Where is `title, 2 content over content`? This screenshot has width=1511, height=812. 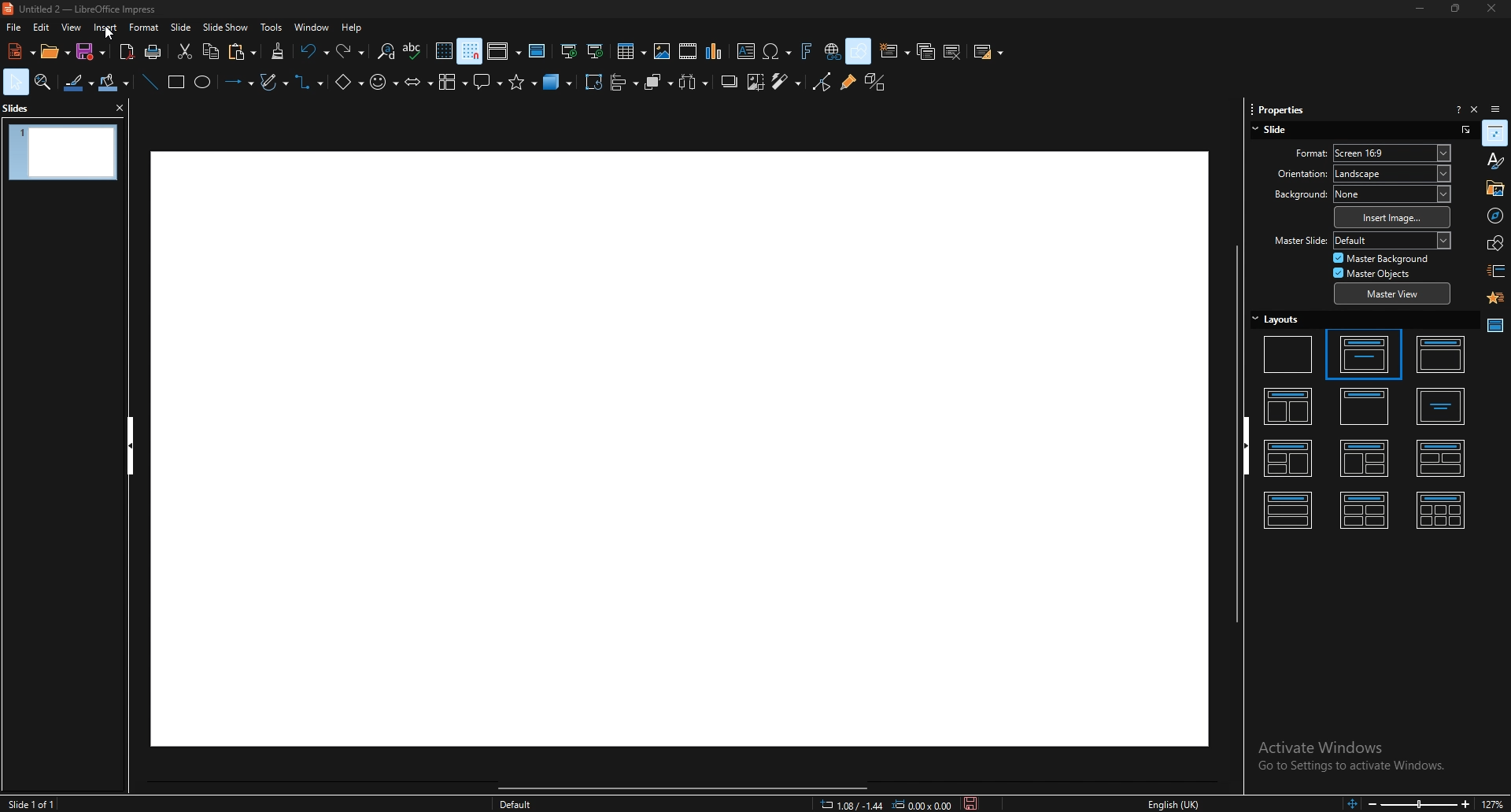 title, 2 content over content is located at coordinates (1442, 457).